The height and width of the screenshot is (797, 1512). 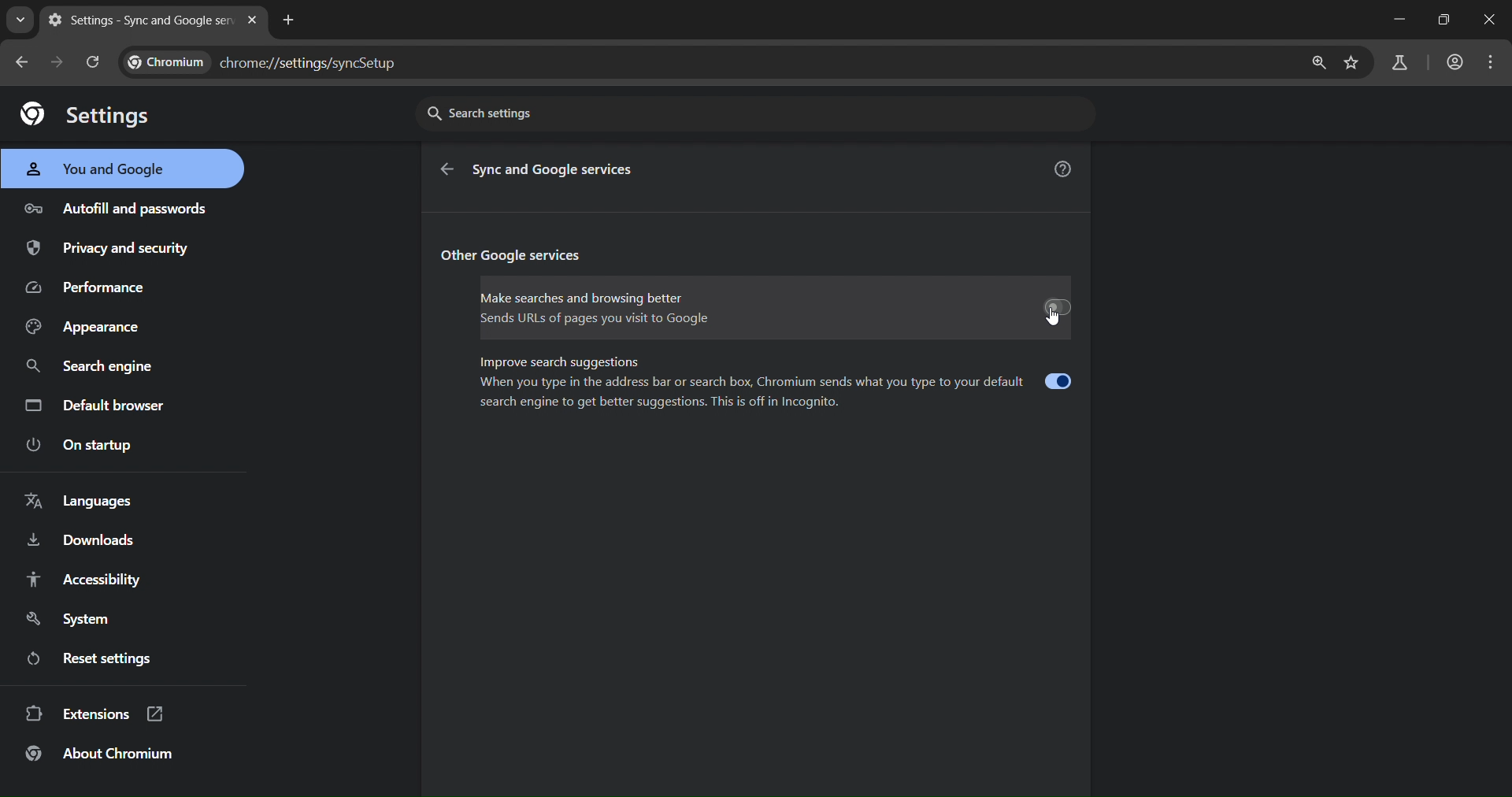 I want to click on chrome://settingd/syncSetup, so click(x=265, y=65).